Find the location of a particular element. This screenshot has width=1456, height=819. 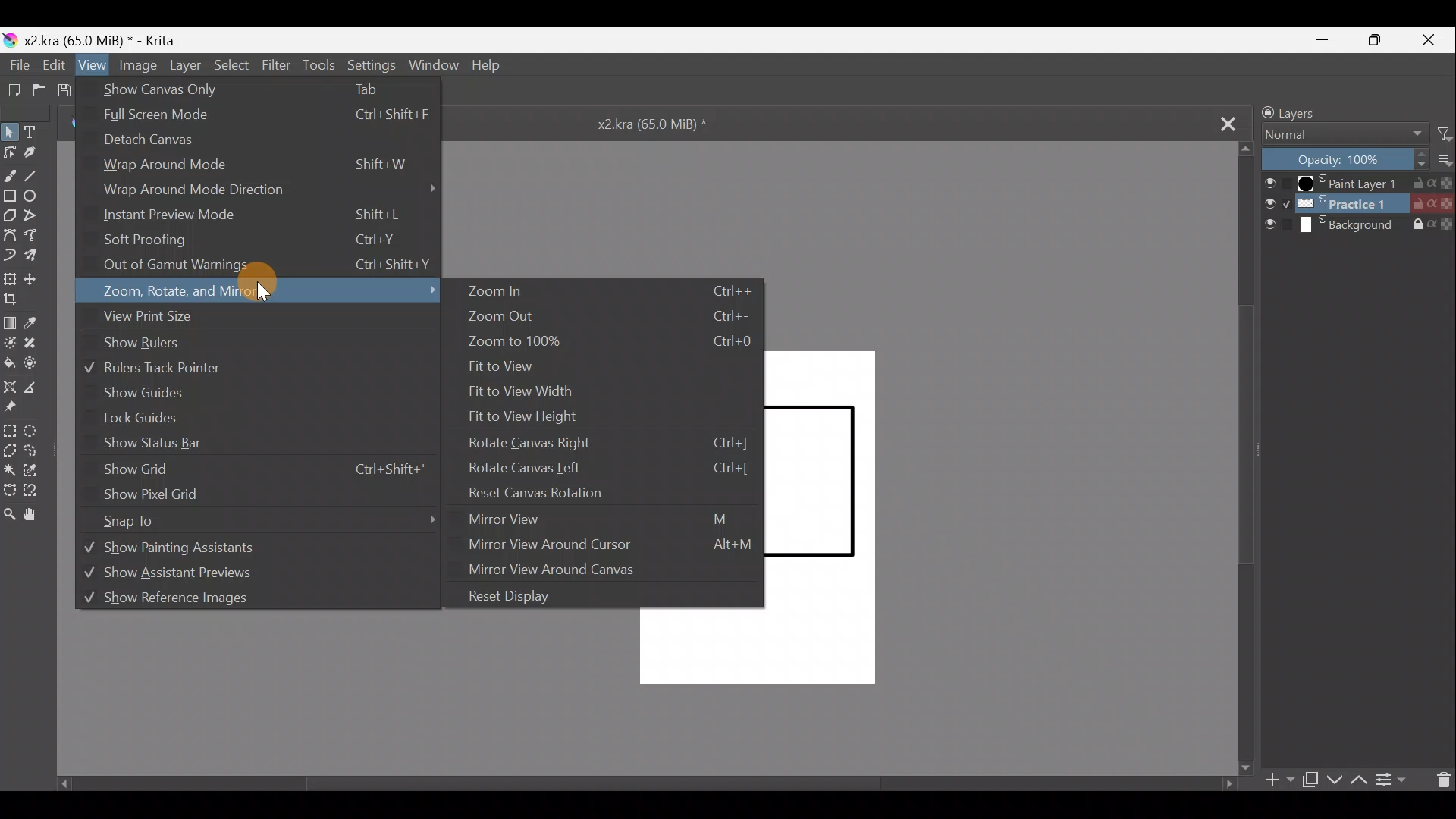

Dynamic brush tool is located at coordinates (12, 255).